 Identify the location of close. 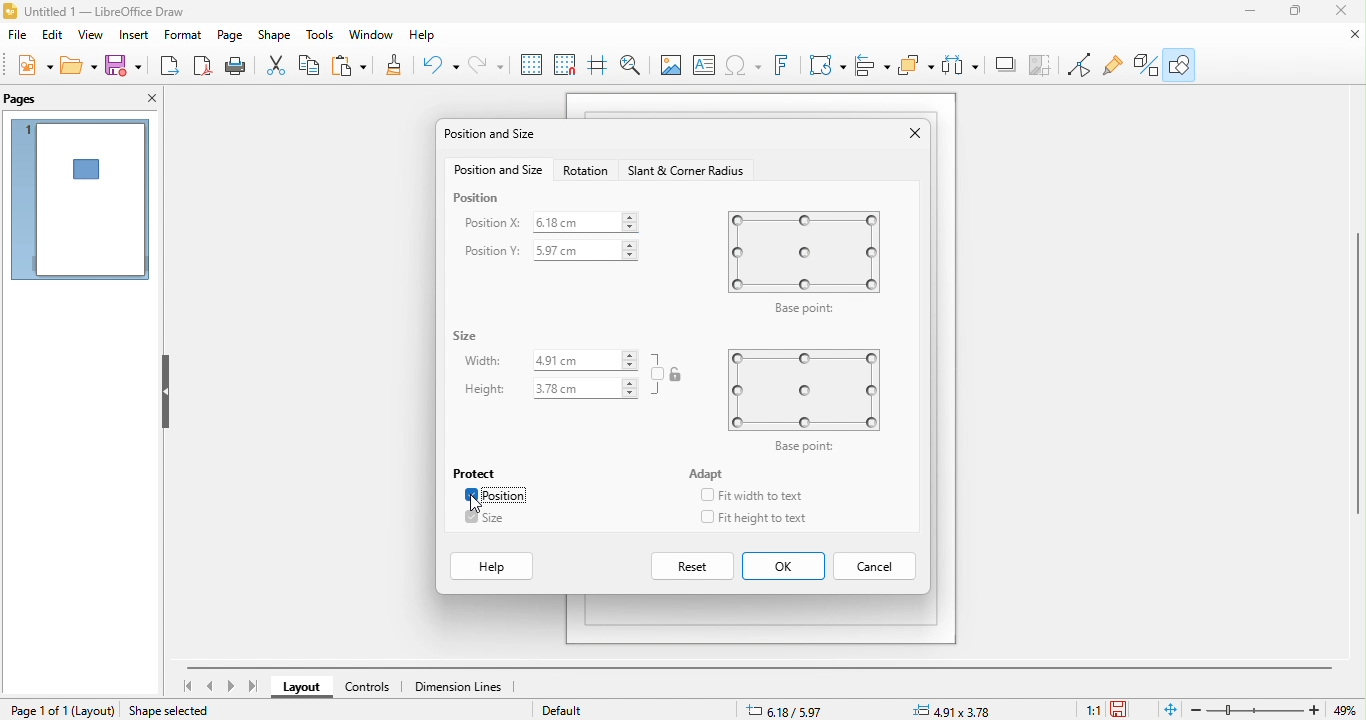
(147, 99).